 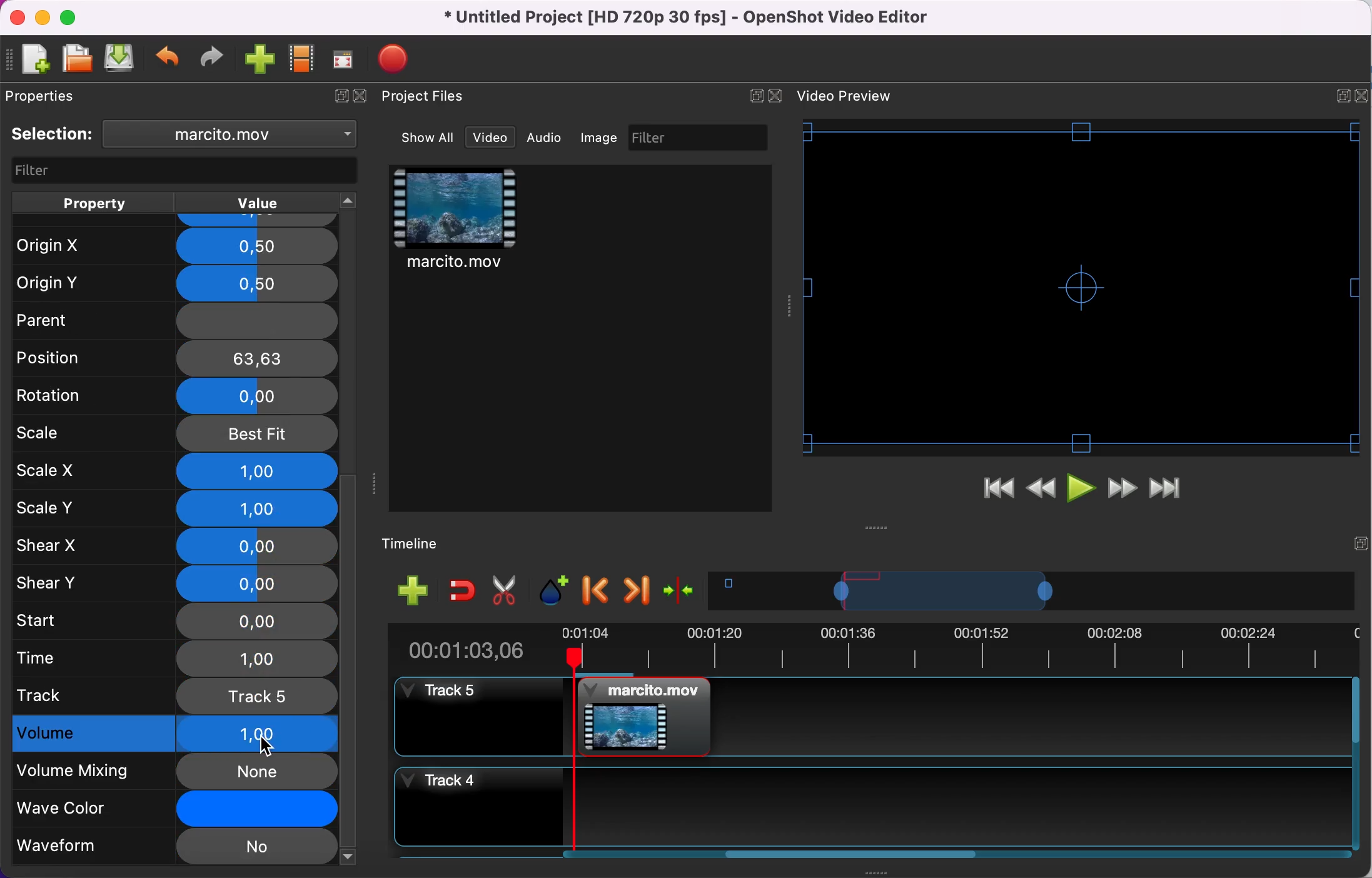 I want to click on Expand/Collapse, so click(x=1343, y=96).